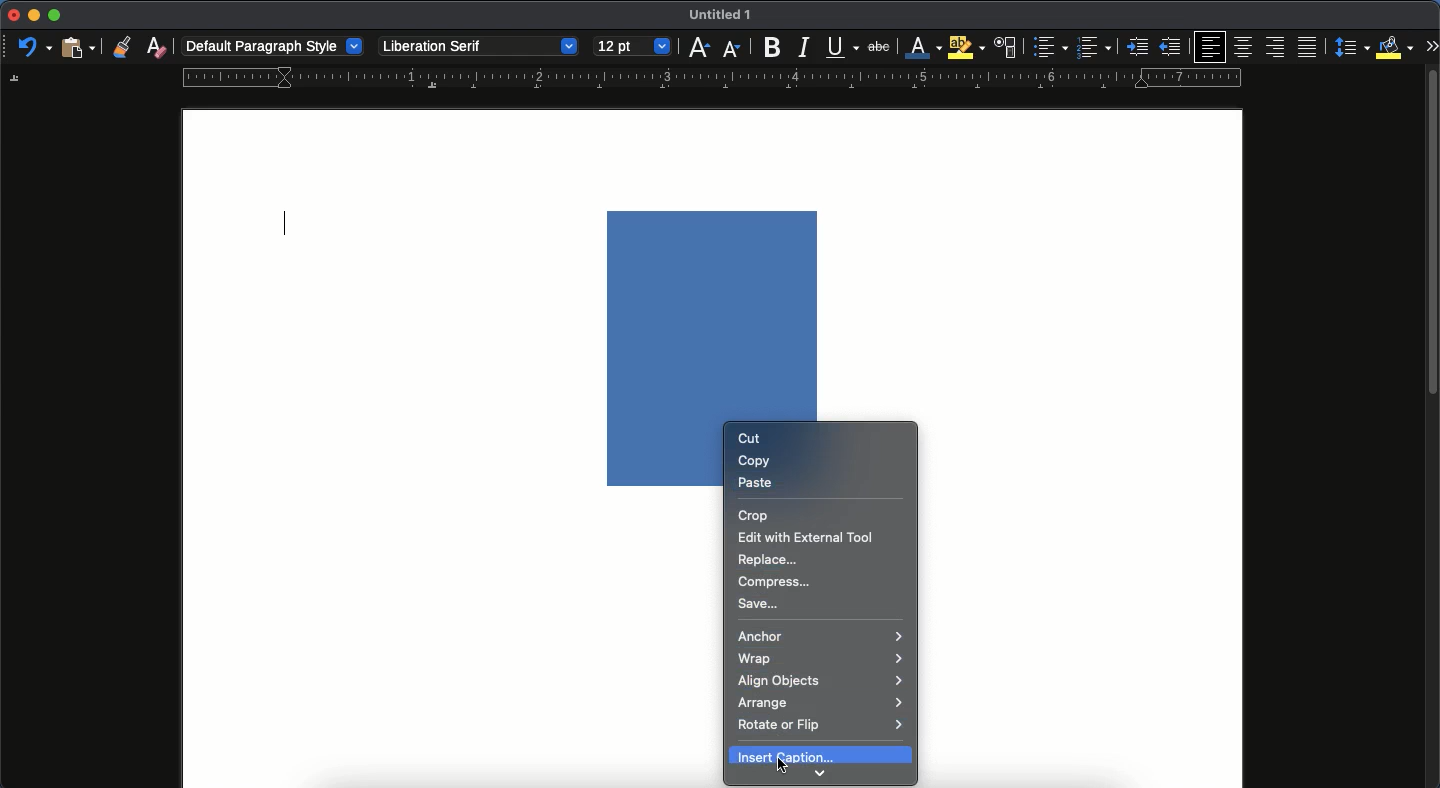 This screenshot has width=1440, height=788. Describe the element at coordinates (1431, 45) in the screenshot. I see `expand` at that location.